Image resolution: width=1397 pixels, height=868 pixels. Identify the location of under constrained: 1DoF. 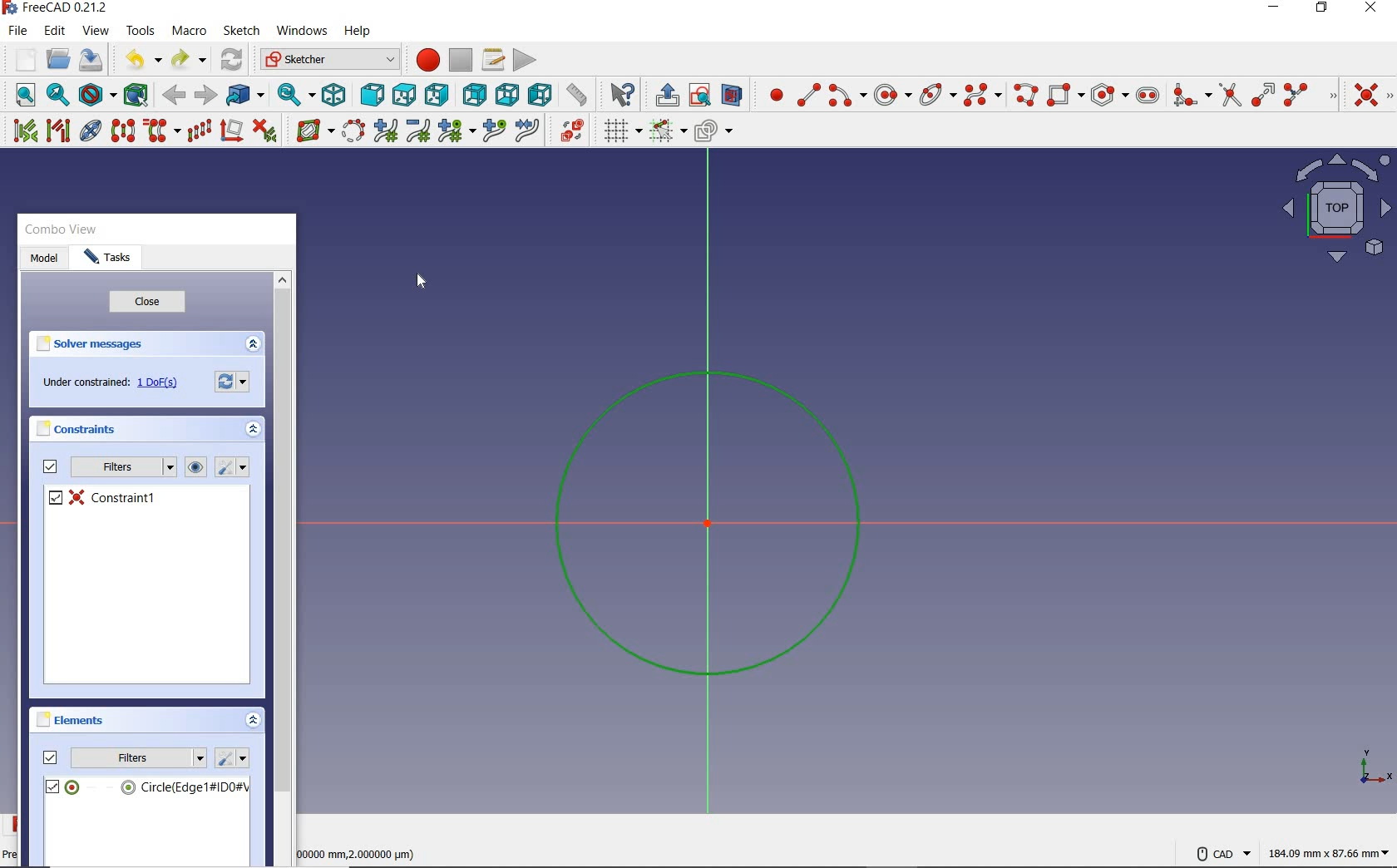
(113, 383).